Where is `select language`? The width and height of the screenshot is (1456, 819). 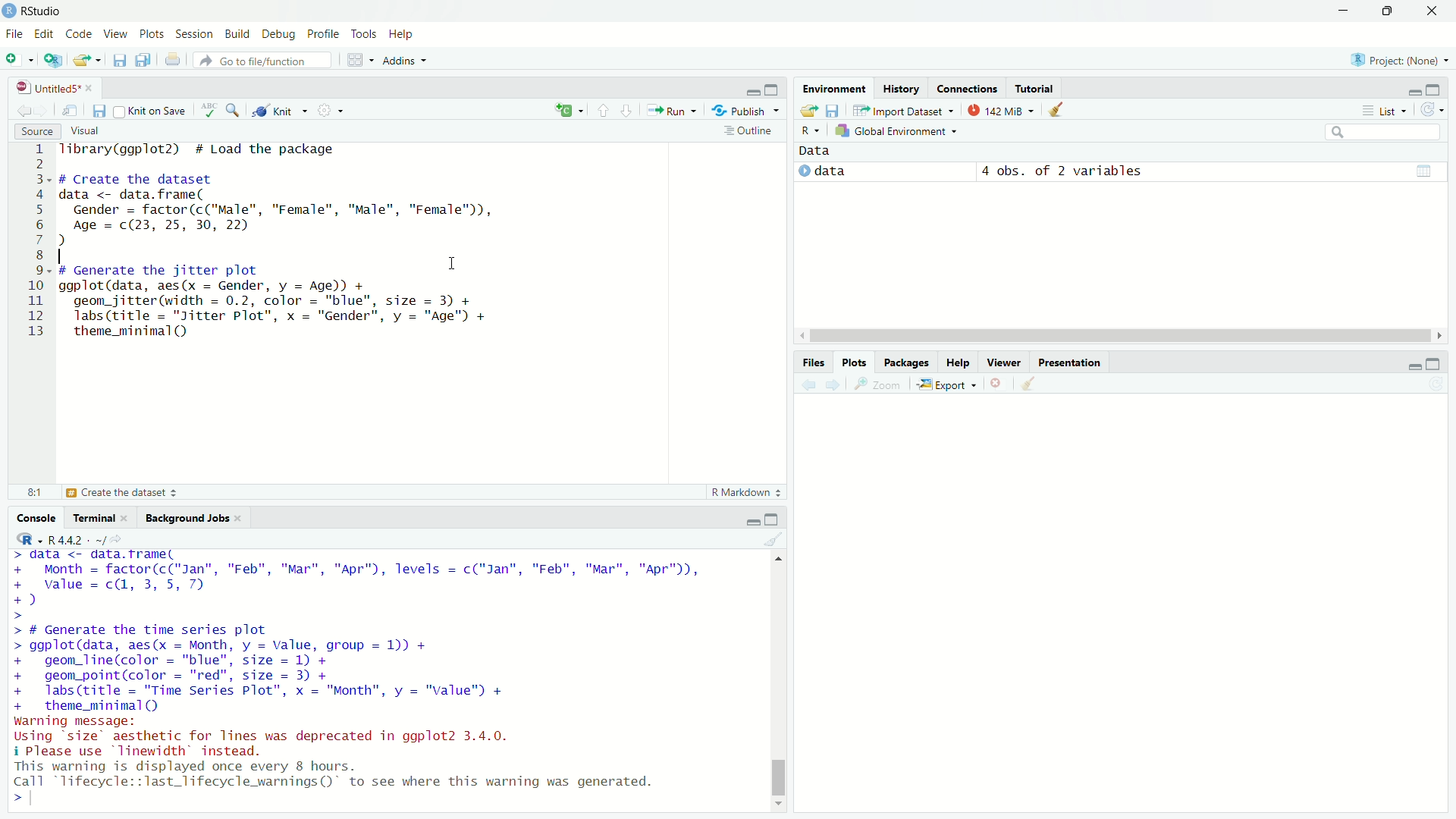
select language is located at coordinates (22, 539).